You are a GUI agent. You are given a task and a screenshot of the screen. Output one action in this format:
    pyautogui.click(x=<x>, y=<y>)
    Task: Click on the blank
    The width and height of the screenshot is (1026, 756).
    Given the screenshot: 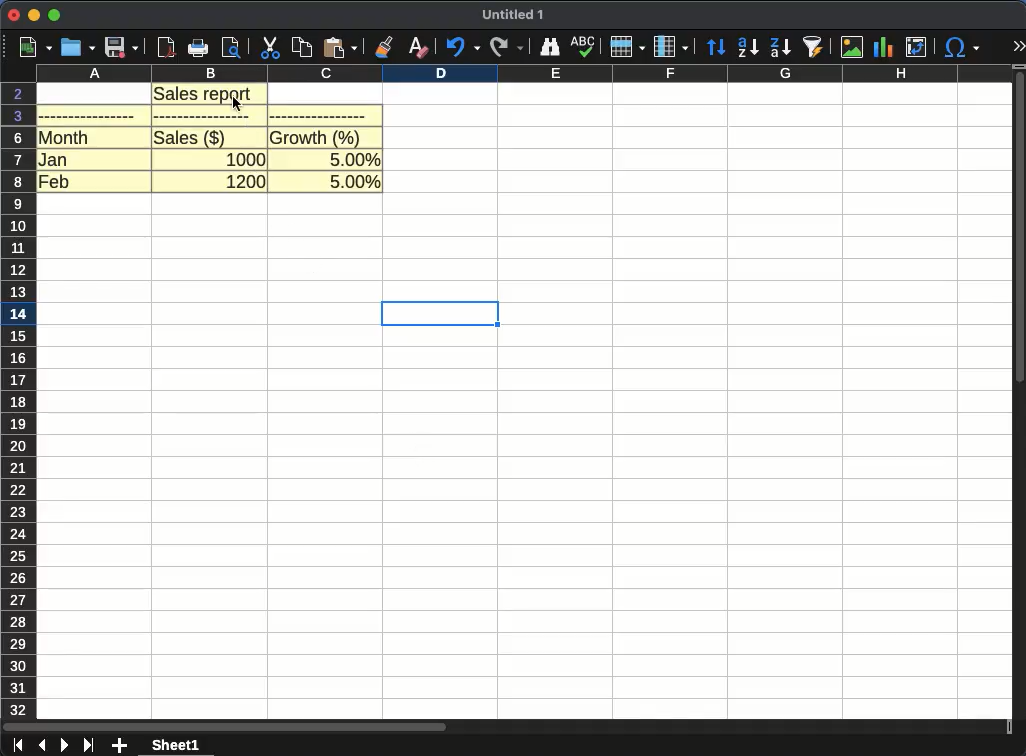 What is the action you would take?
    pyautogui.click(x=206, y=117)
    